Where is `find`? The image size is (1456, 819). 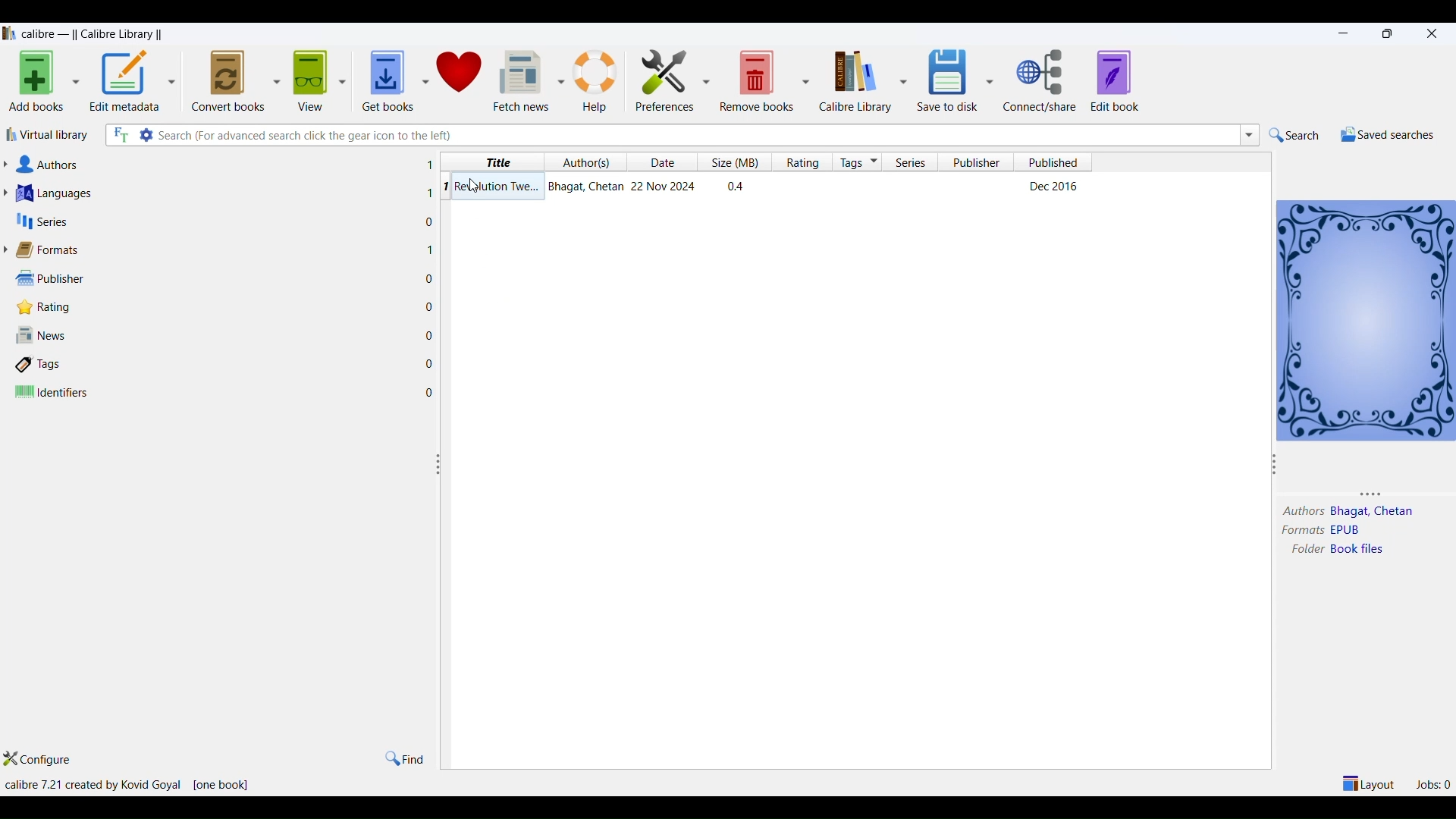 find is located at coordinates (407, 757).